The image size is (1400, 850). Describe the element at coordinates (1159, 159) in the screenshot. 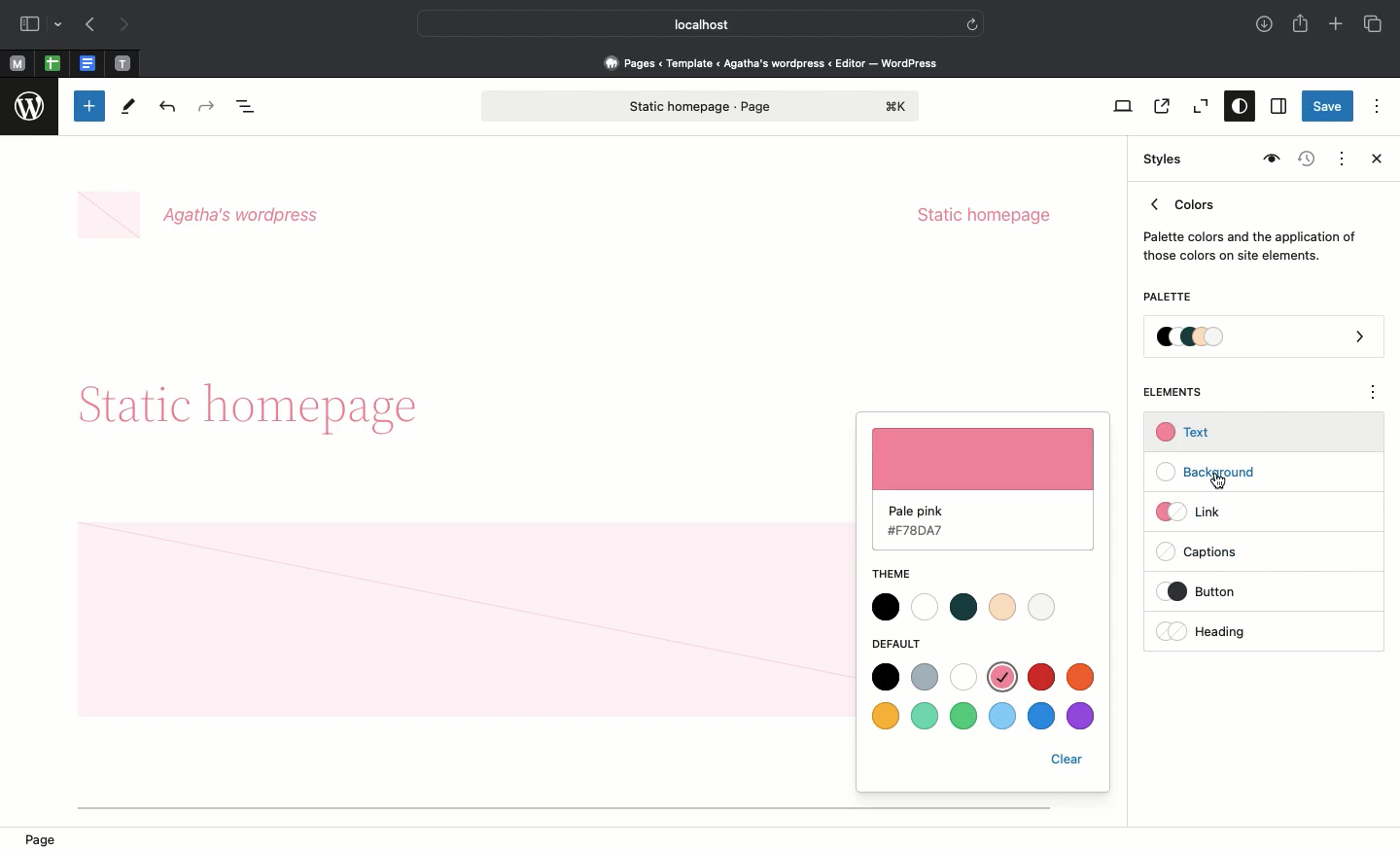

I see `Styles` at that location.